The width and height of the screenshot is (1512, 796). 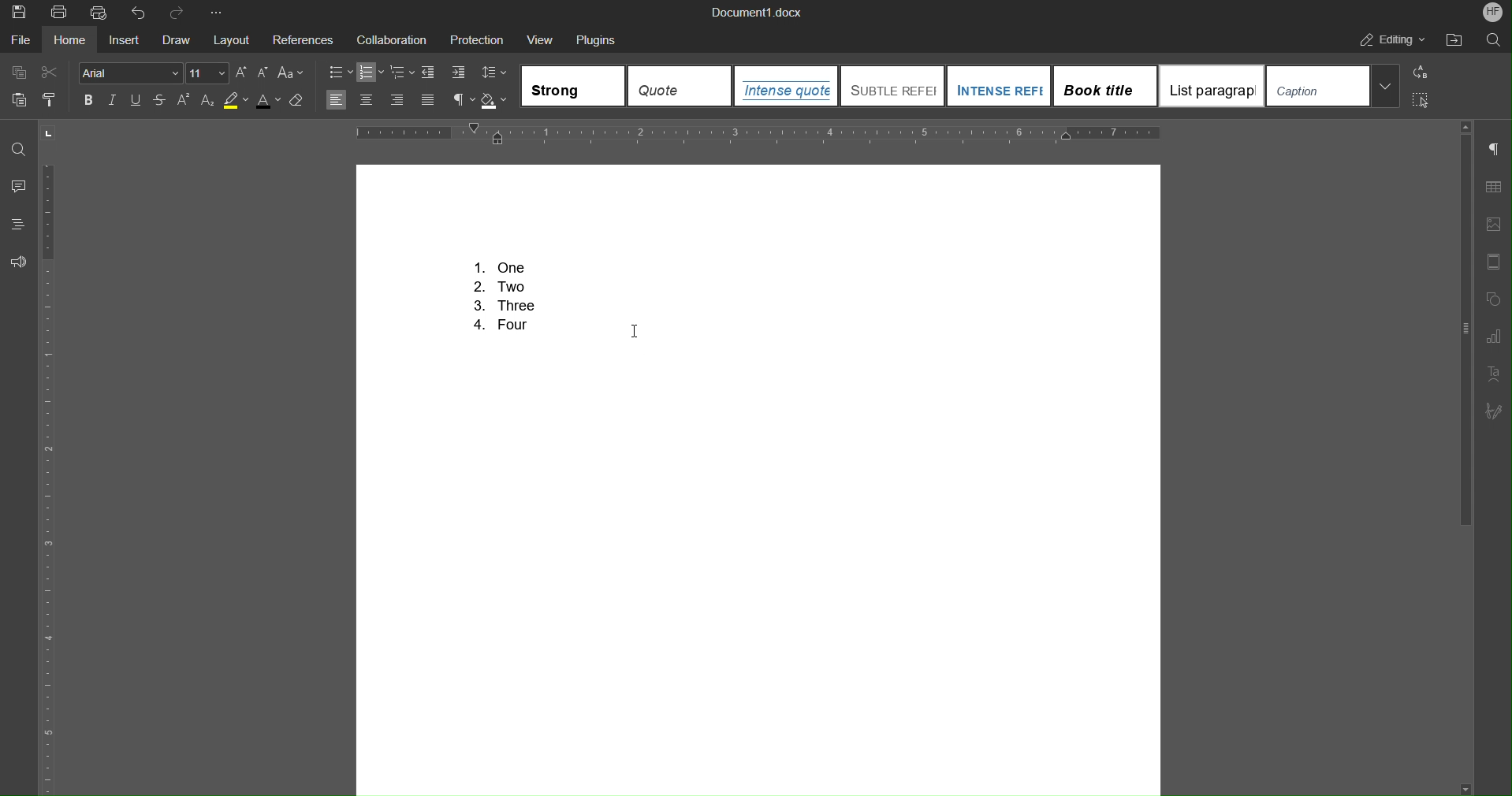 I want to click on Erase Style, so click(x=298, y=101).